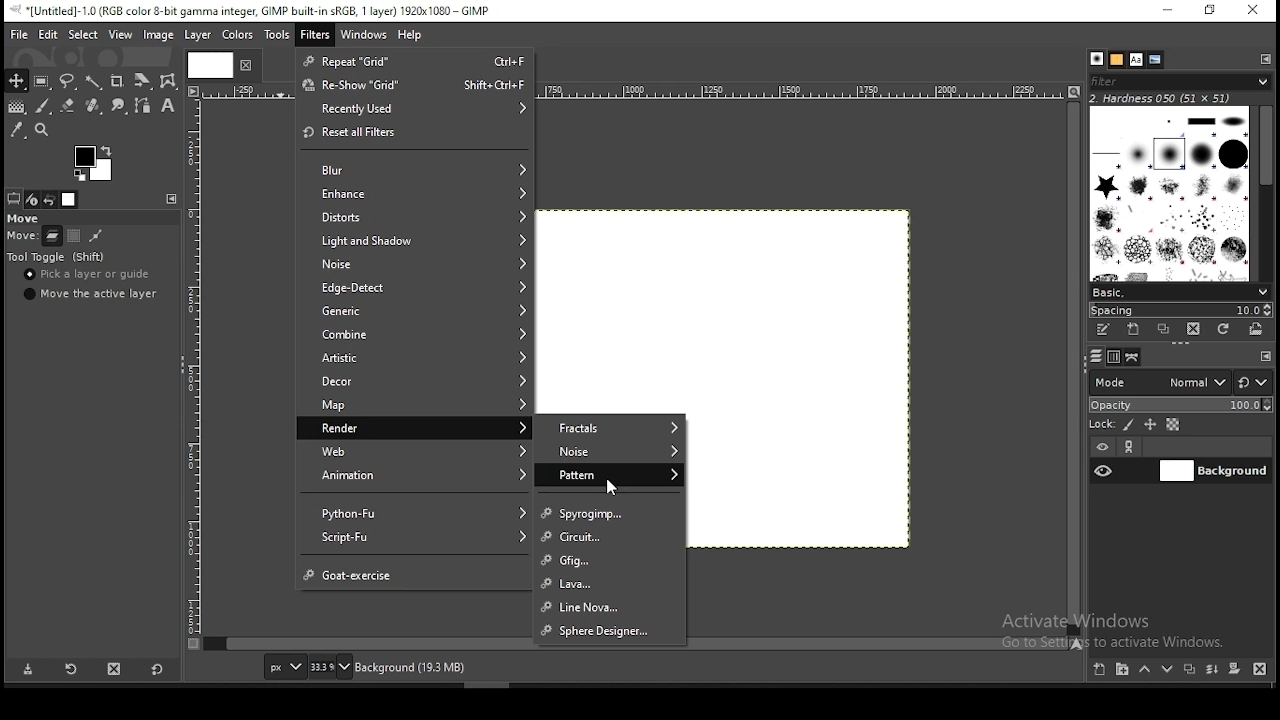 Image resolution: width=1280 pixels, height=720 pixels. Describe the element at coordinates (97, 161) in the screenshot. I see `colors` at that location.